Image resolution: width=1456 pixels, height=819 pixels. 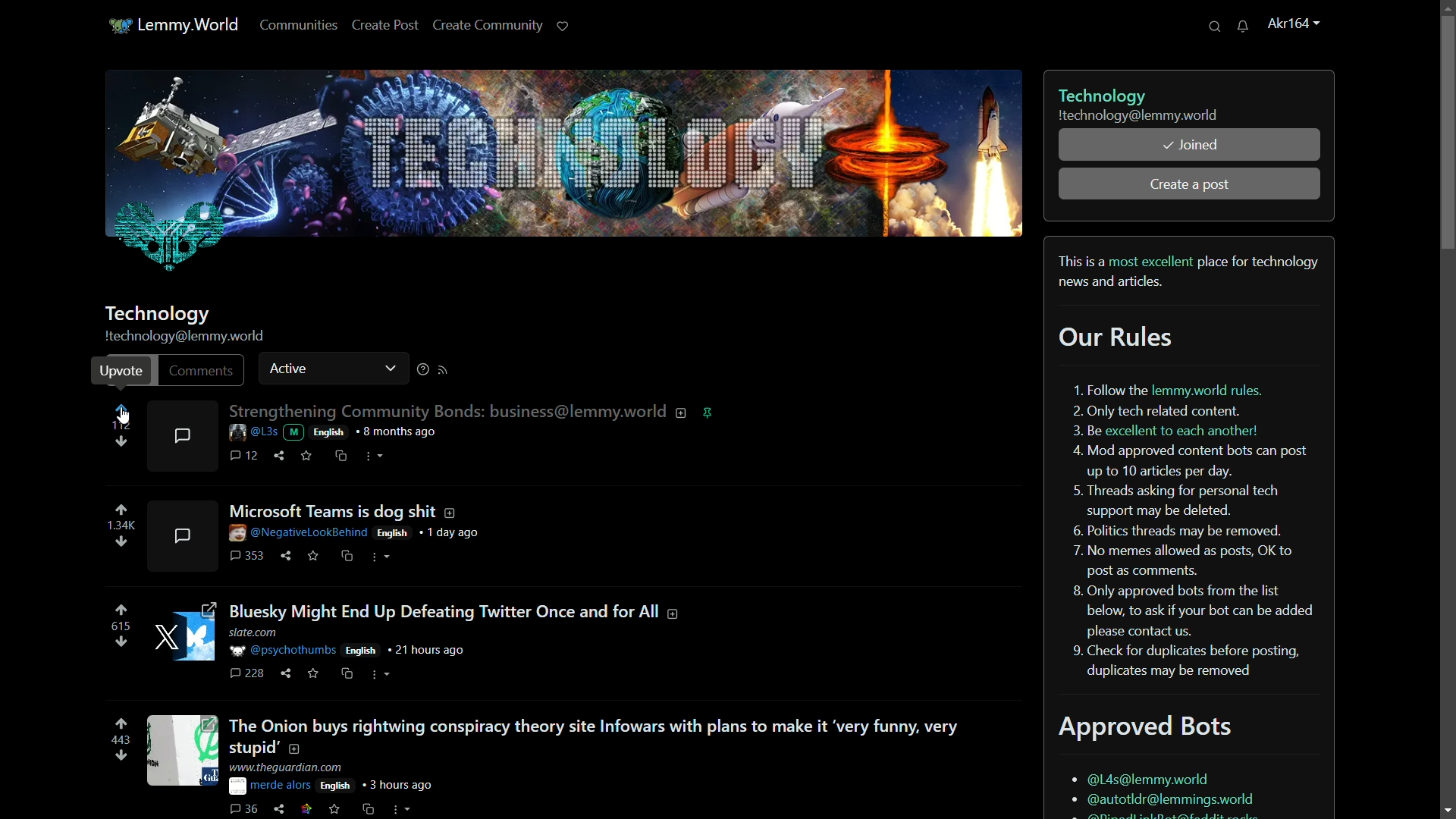 I want to click on link, so click(x=307, y=804).